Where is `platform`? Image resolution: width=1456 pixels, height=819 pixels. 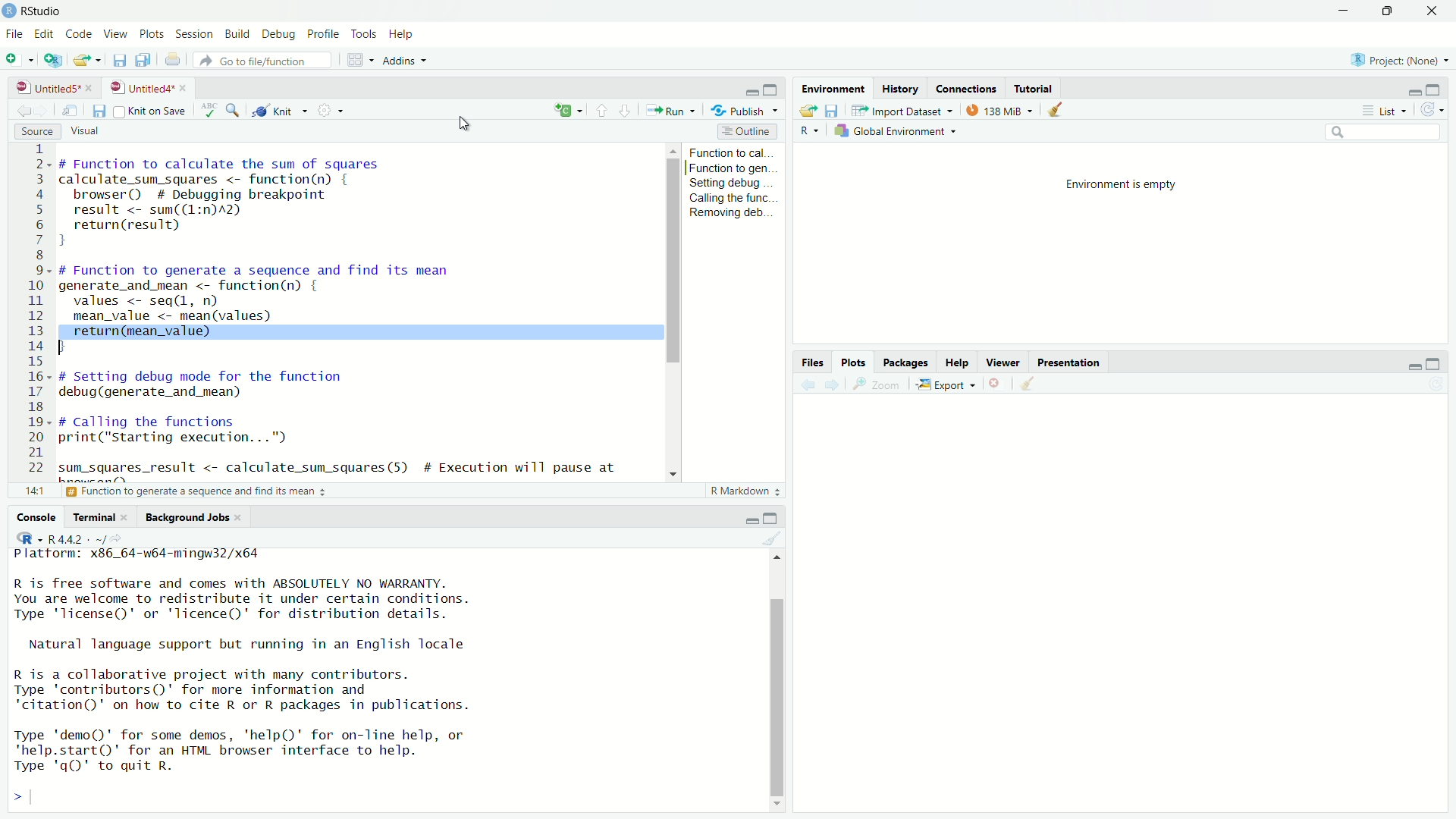
platform is located at coordinates (136, 557).